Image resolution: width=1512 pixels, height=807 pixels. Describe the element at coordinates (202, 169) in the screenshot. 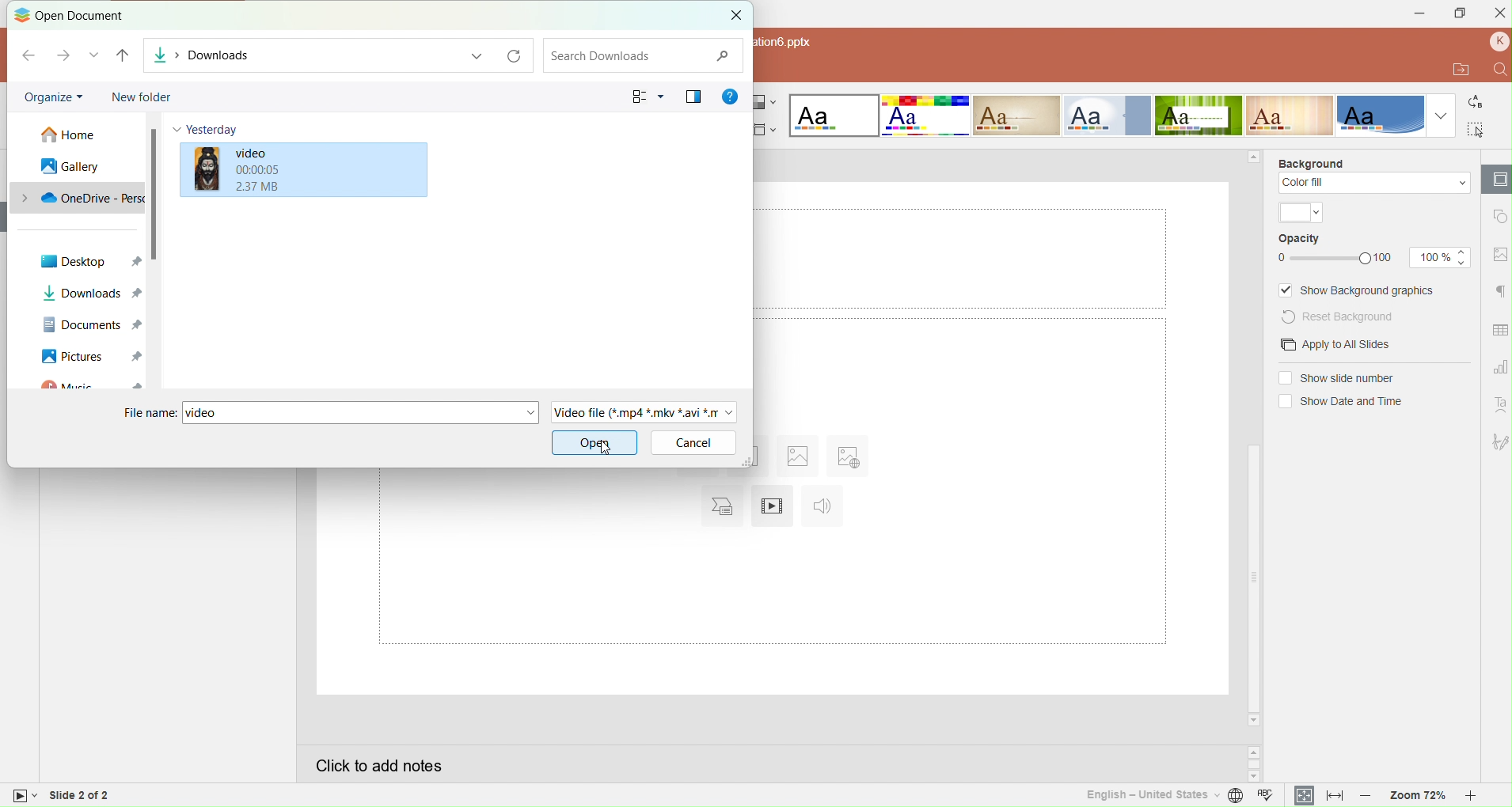

I see `image` at that location.